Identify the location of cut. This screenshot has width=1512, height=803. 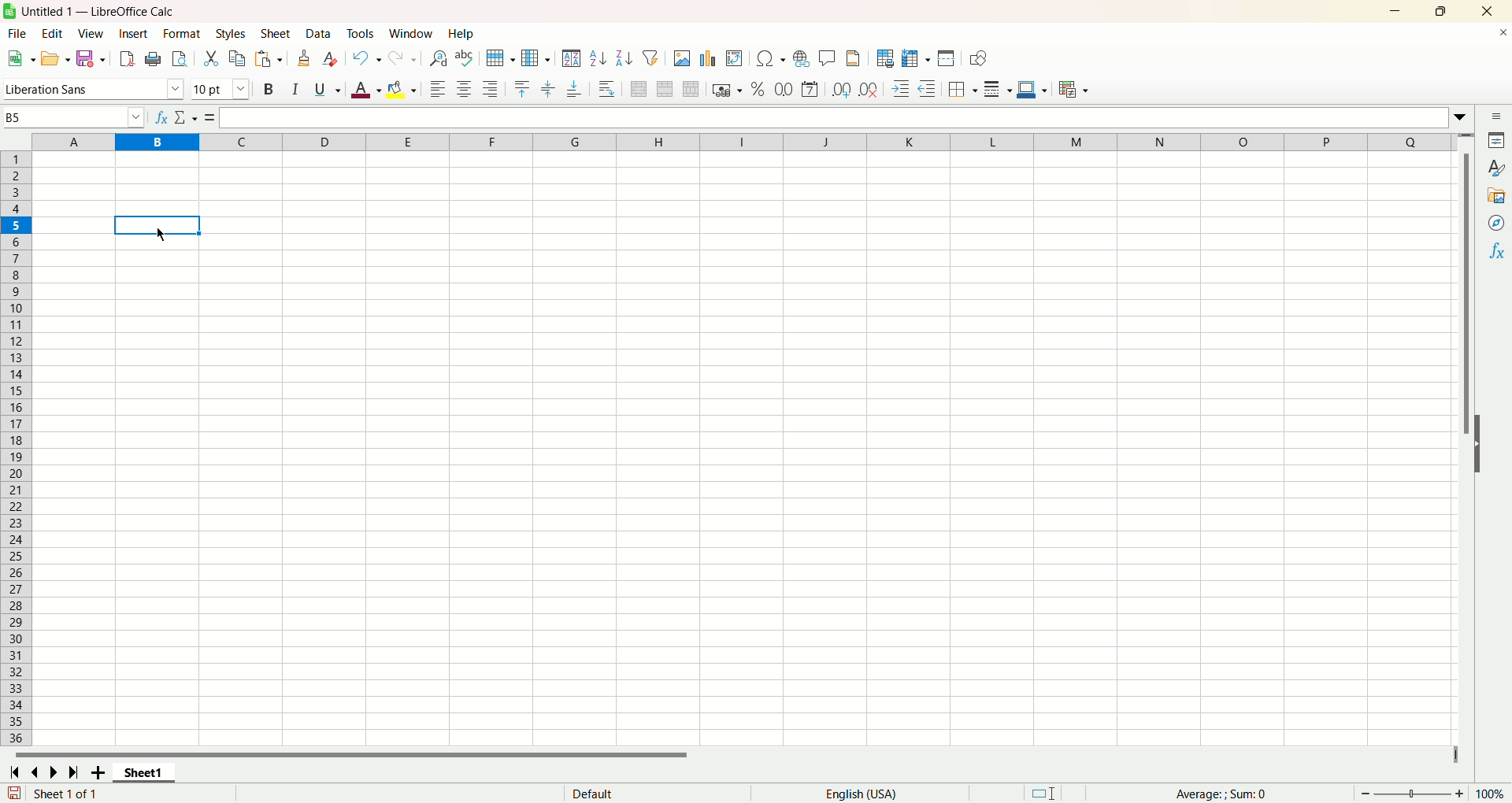
(210, 58).